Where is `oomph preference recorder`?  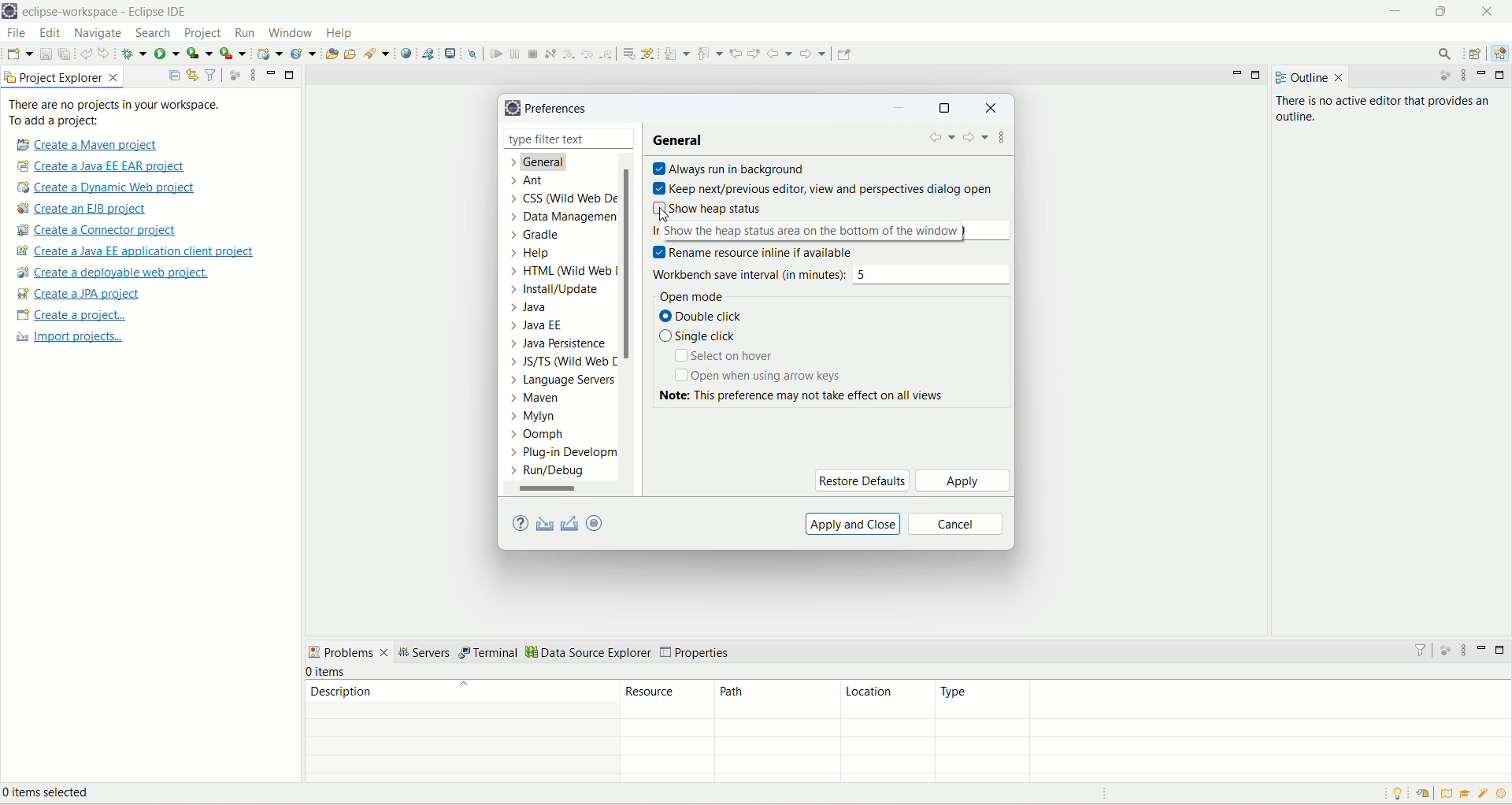 oomph preference recorder is located at coordinates (594, 523).